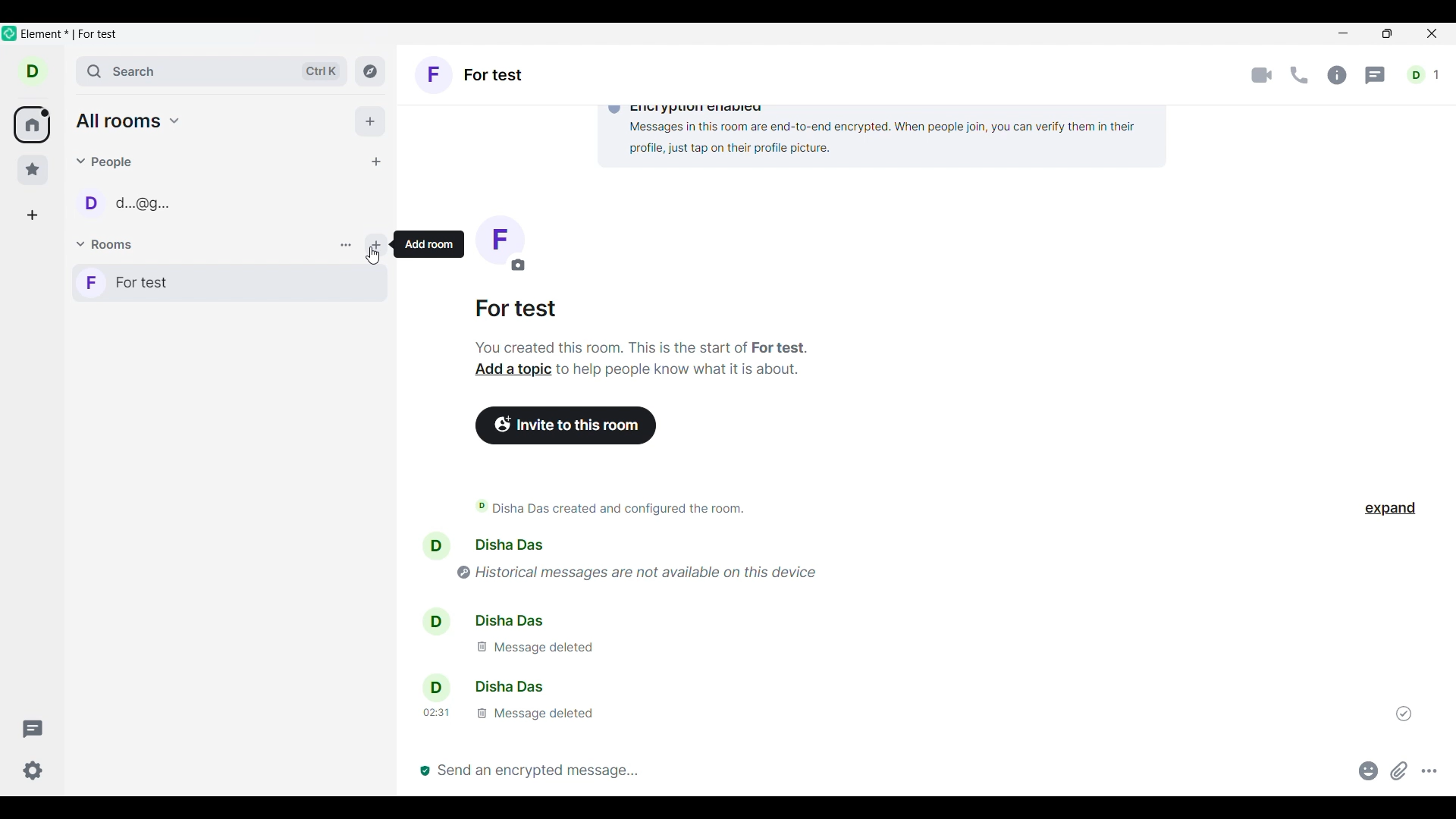 The image size is (1456, 819). I want to click on Disha Das, Message deleted, so click(573, 638).